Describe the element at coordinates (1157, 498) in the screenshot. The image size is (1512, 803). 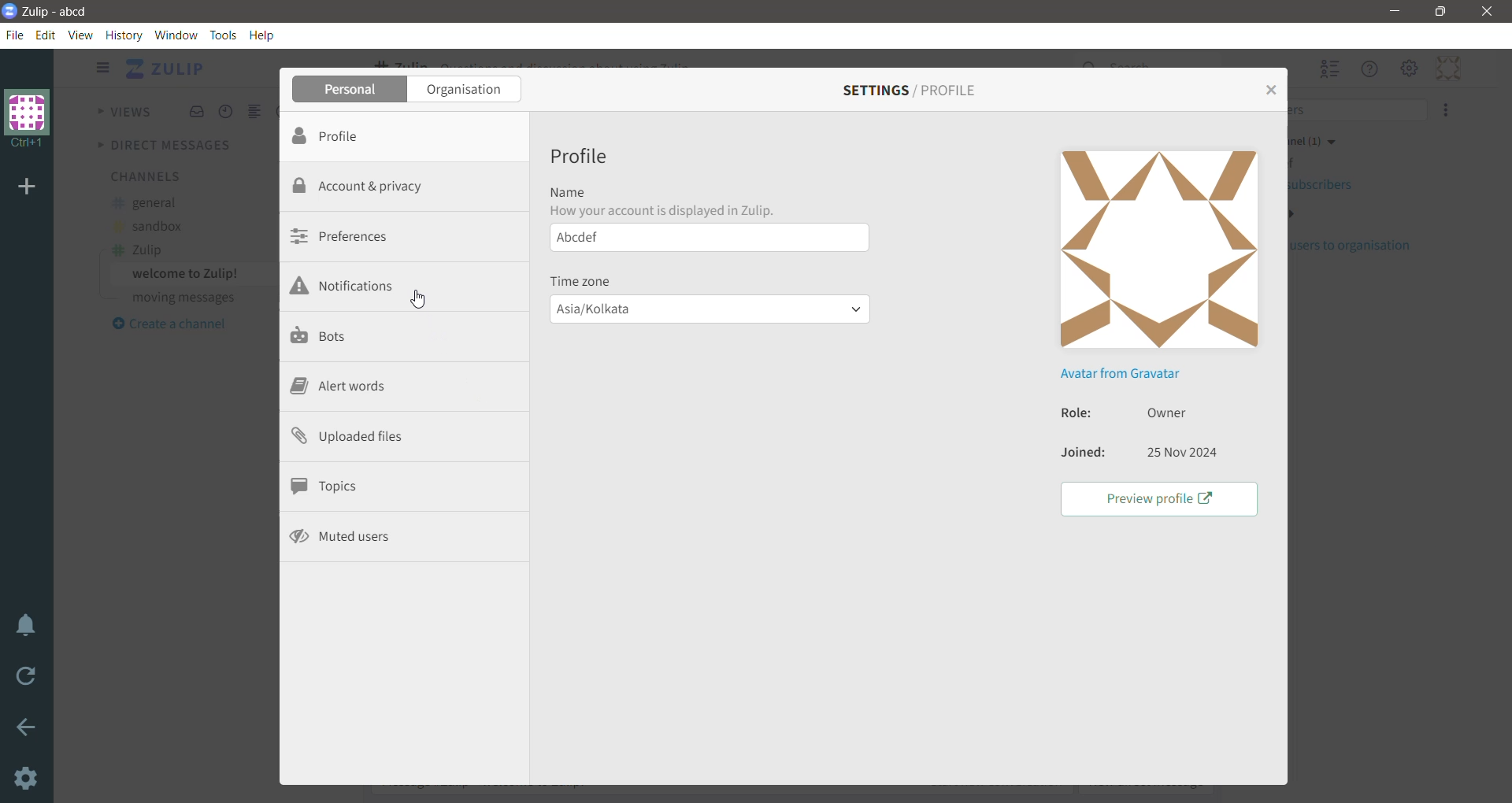
I see `Click to preview profile` at that location.